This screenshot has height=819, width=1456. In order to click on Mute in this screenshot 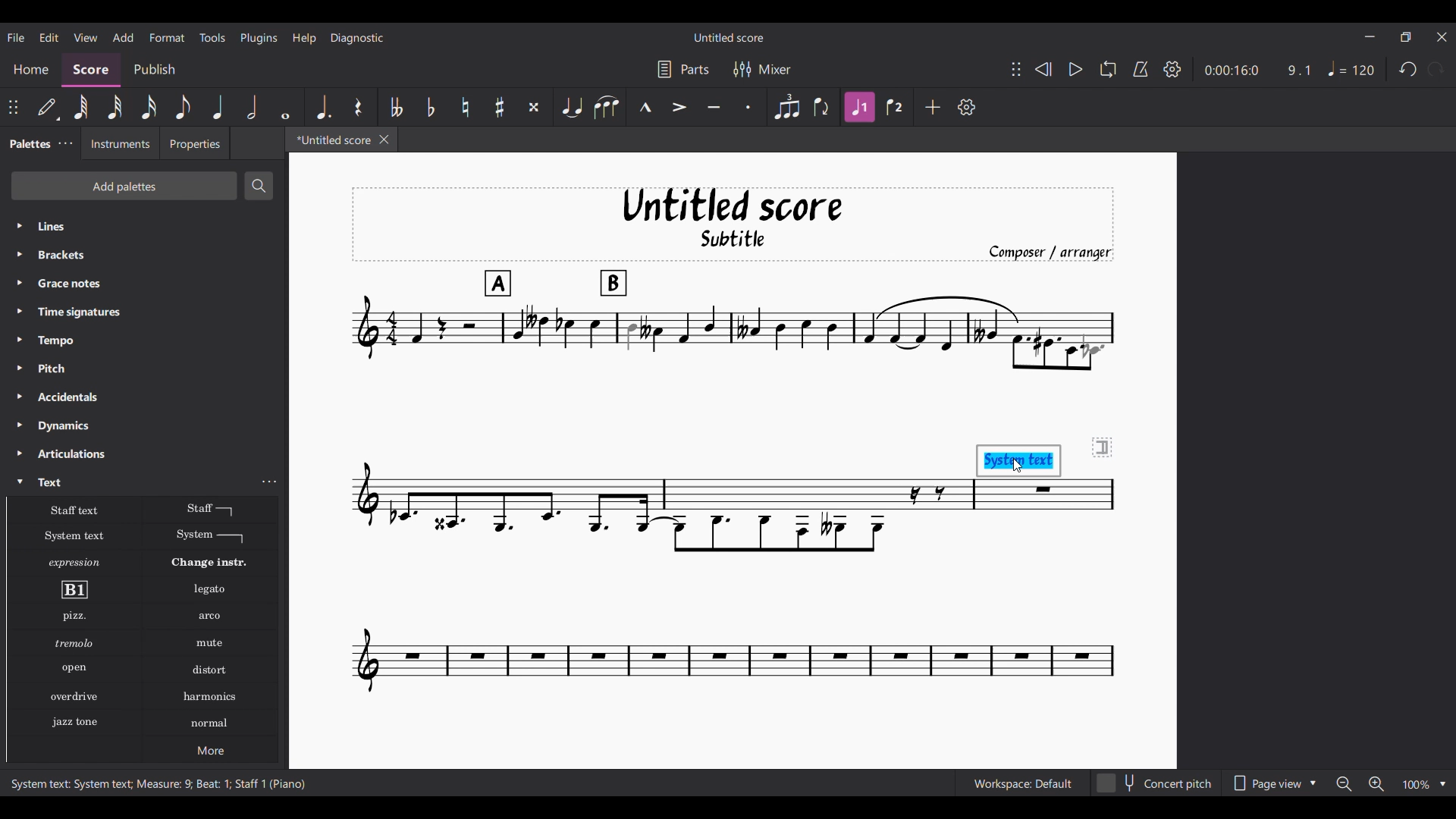, I will do `click(210, 643)`.